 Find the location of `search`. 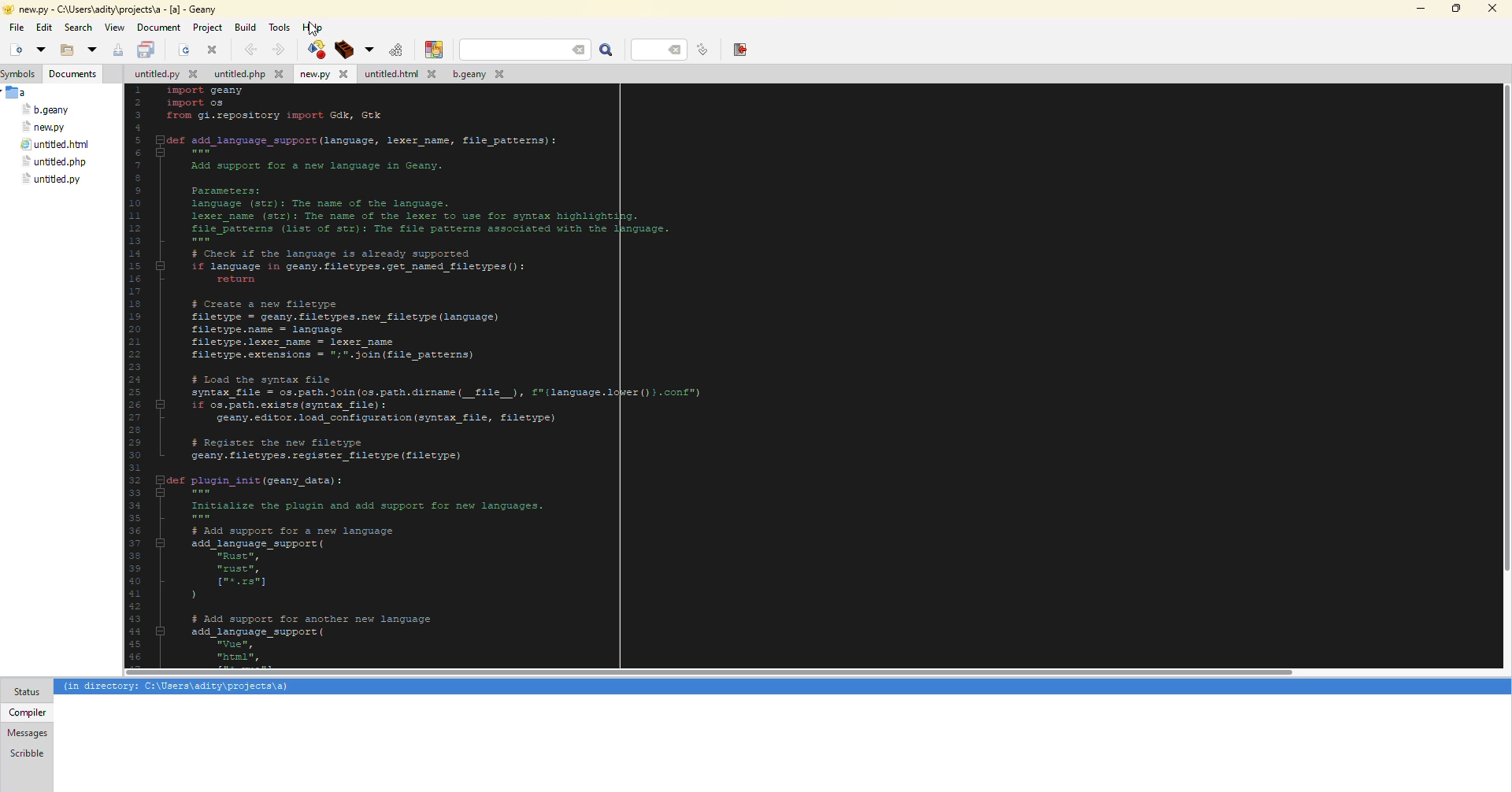

search is located at coordinates (79, 28).